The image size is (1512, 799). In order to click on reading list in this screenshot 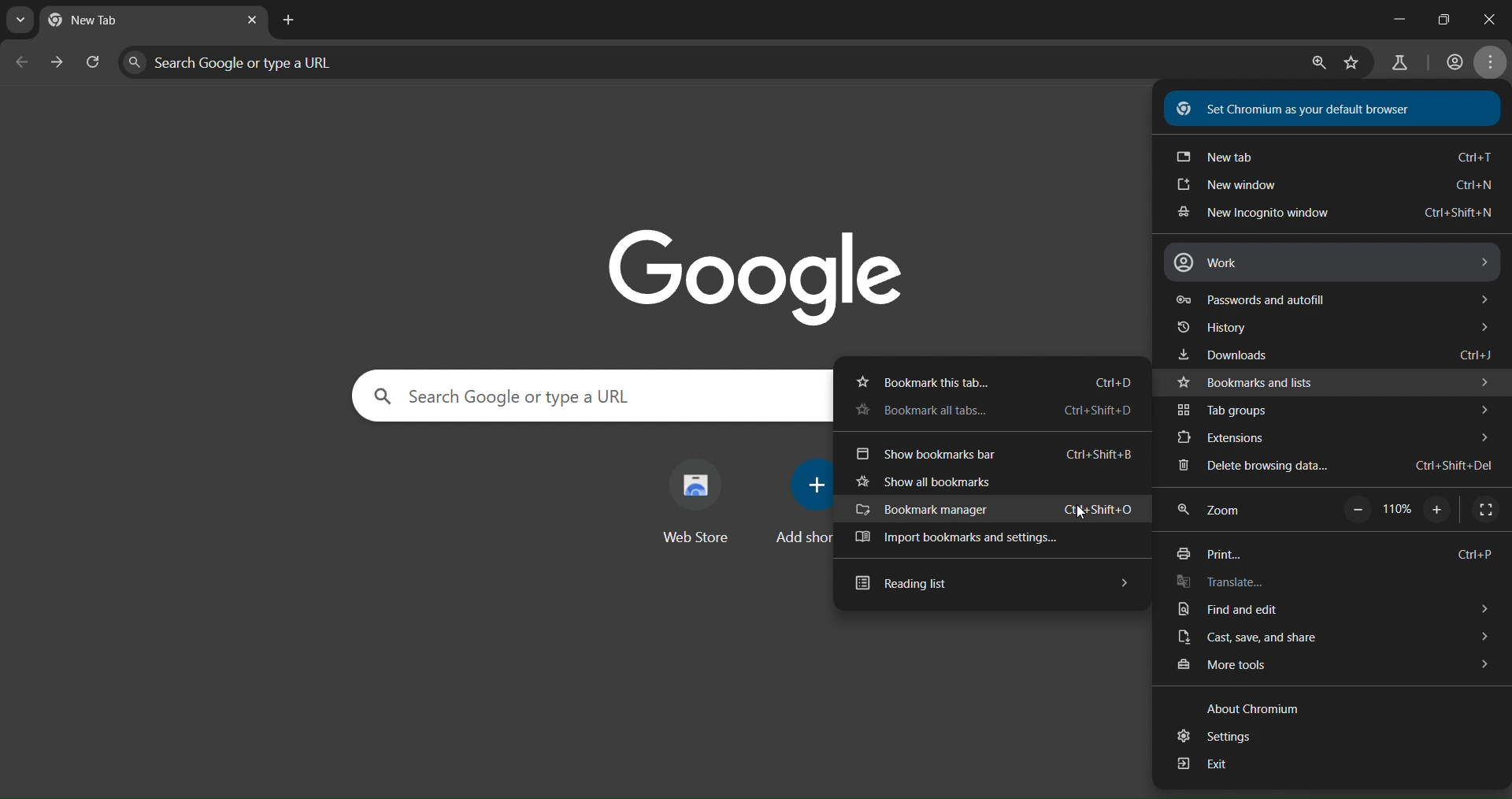, I will do `click(988, 586)`.